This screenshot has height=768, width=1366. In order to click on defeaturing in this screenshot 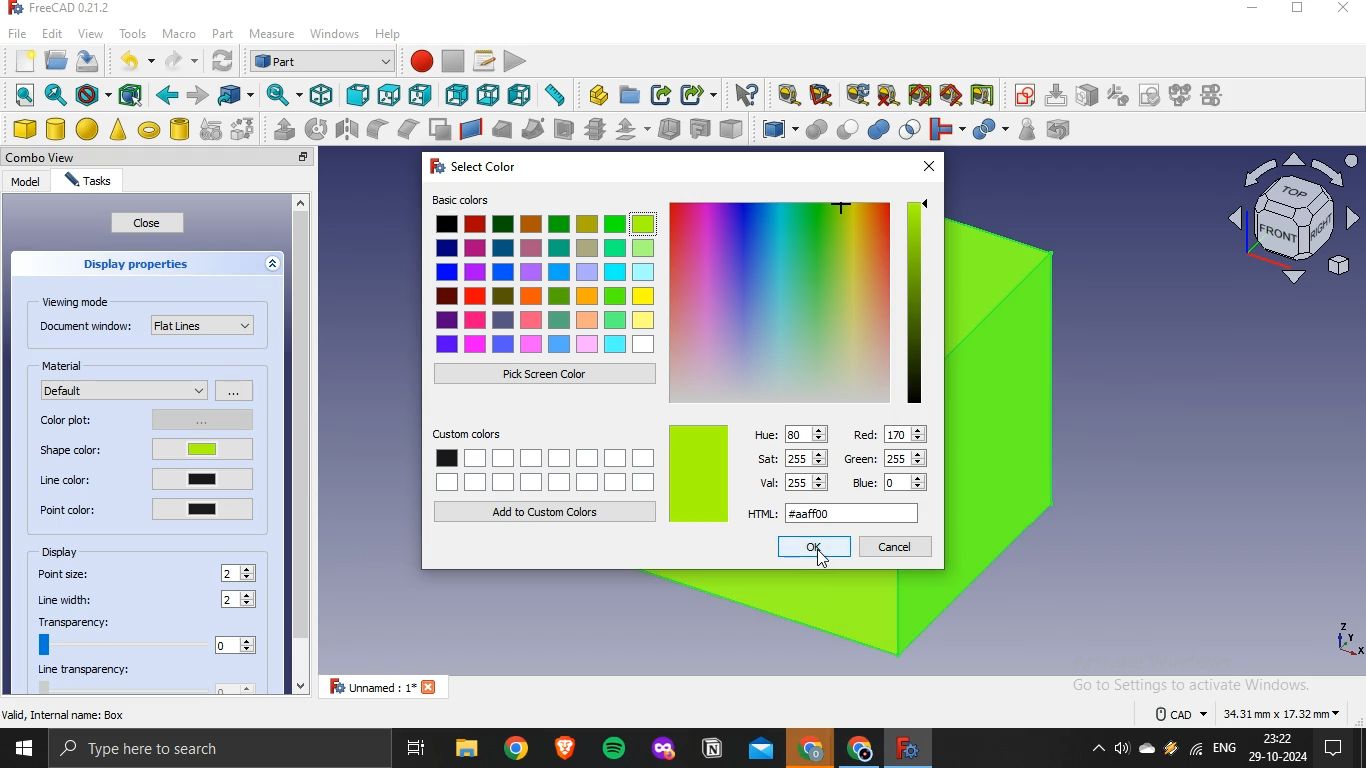, I will do `click(1063, 129)`.